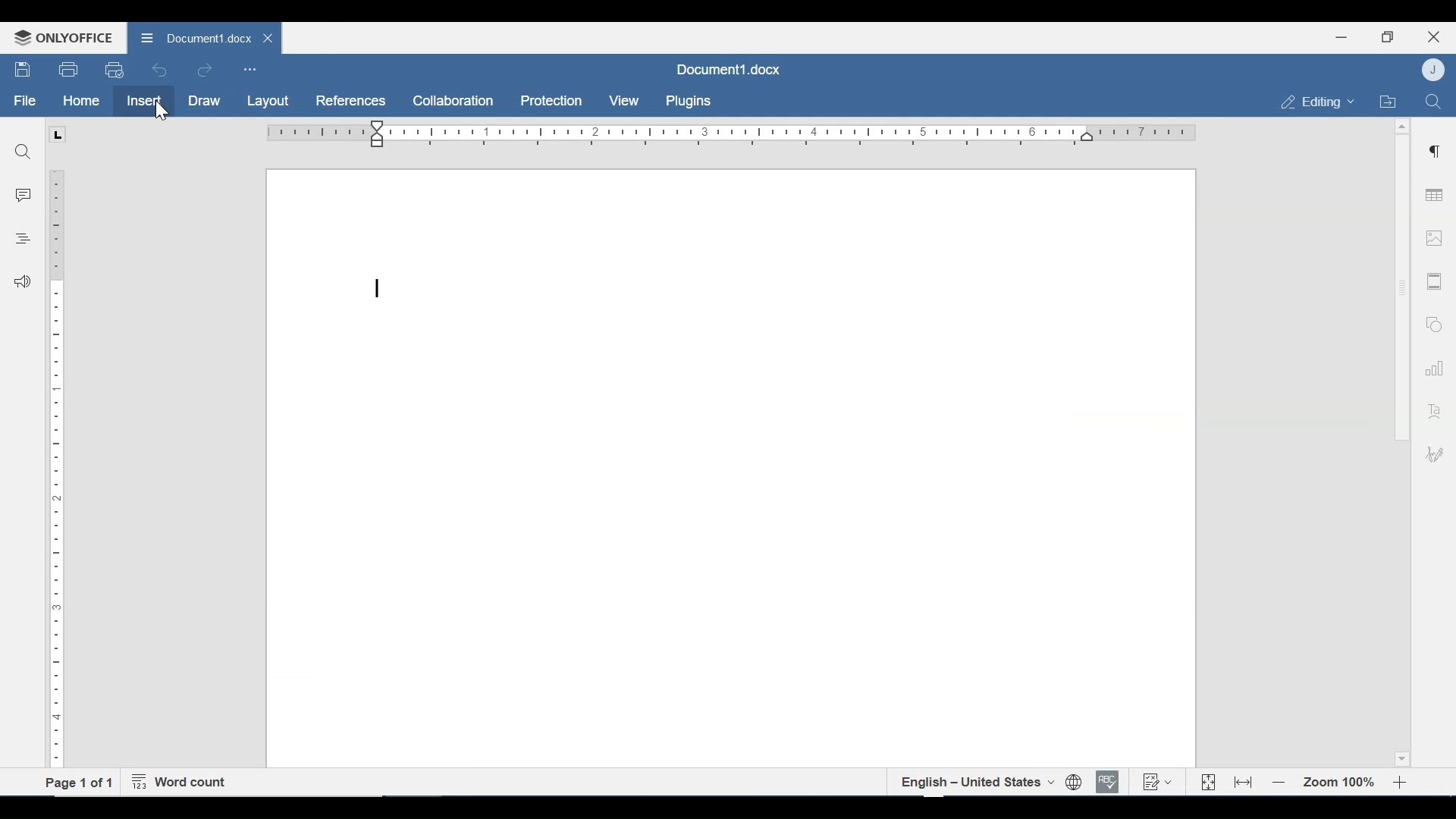  I want to click on Set document language, so click(1075, 783).